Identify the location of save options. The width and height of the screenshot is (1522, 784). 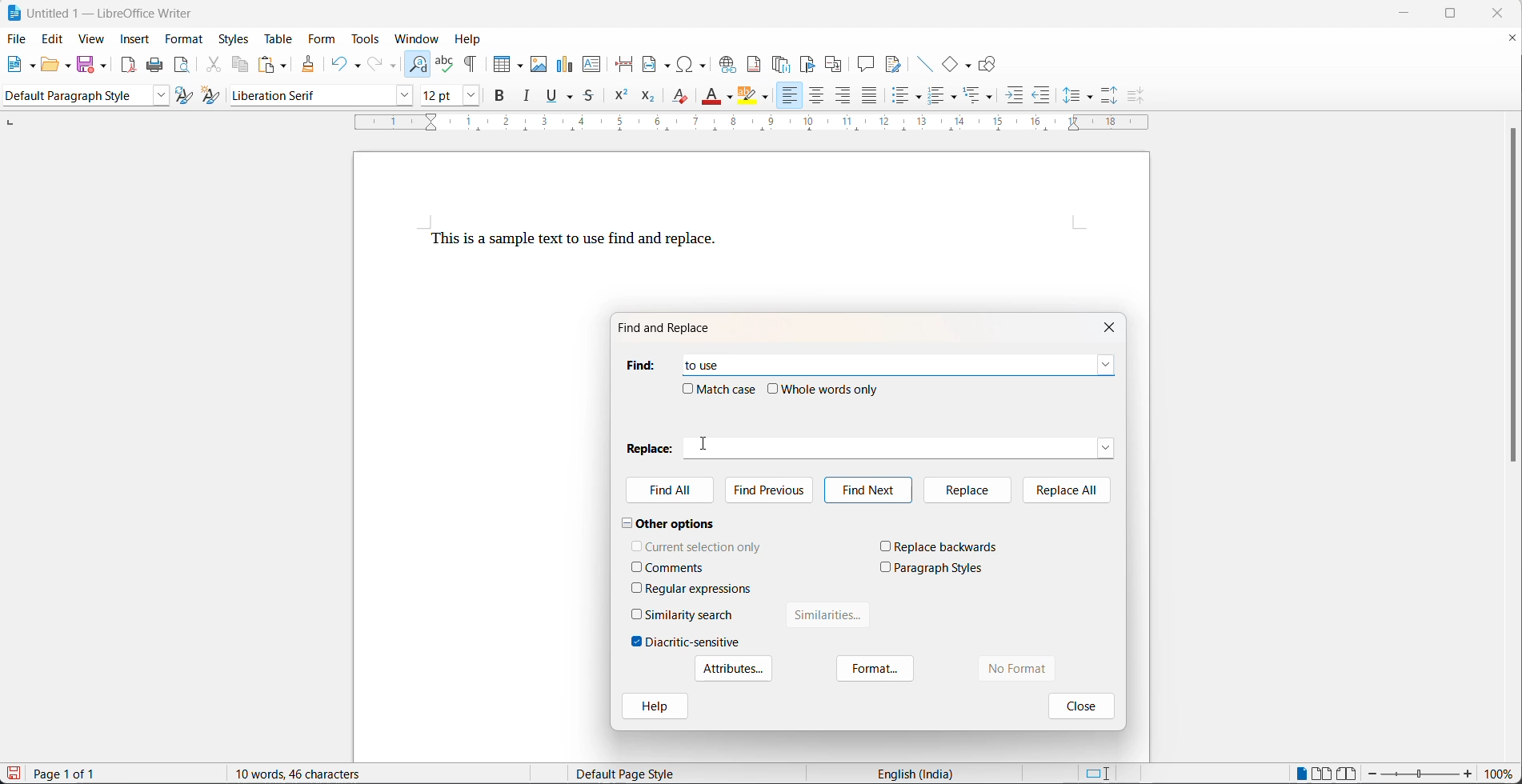
(104, 65).